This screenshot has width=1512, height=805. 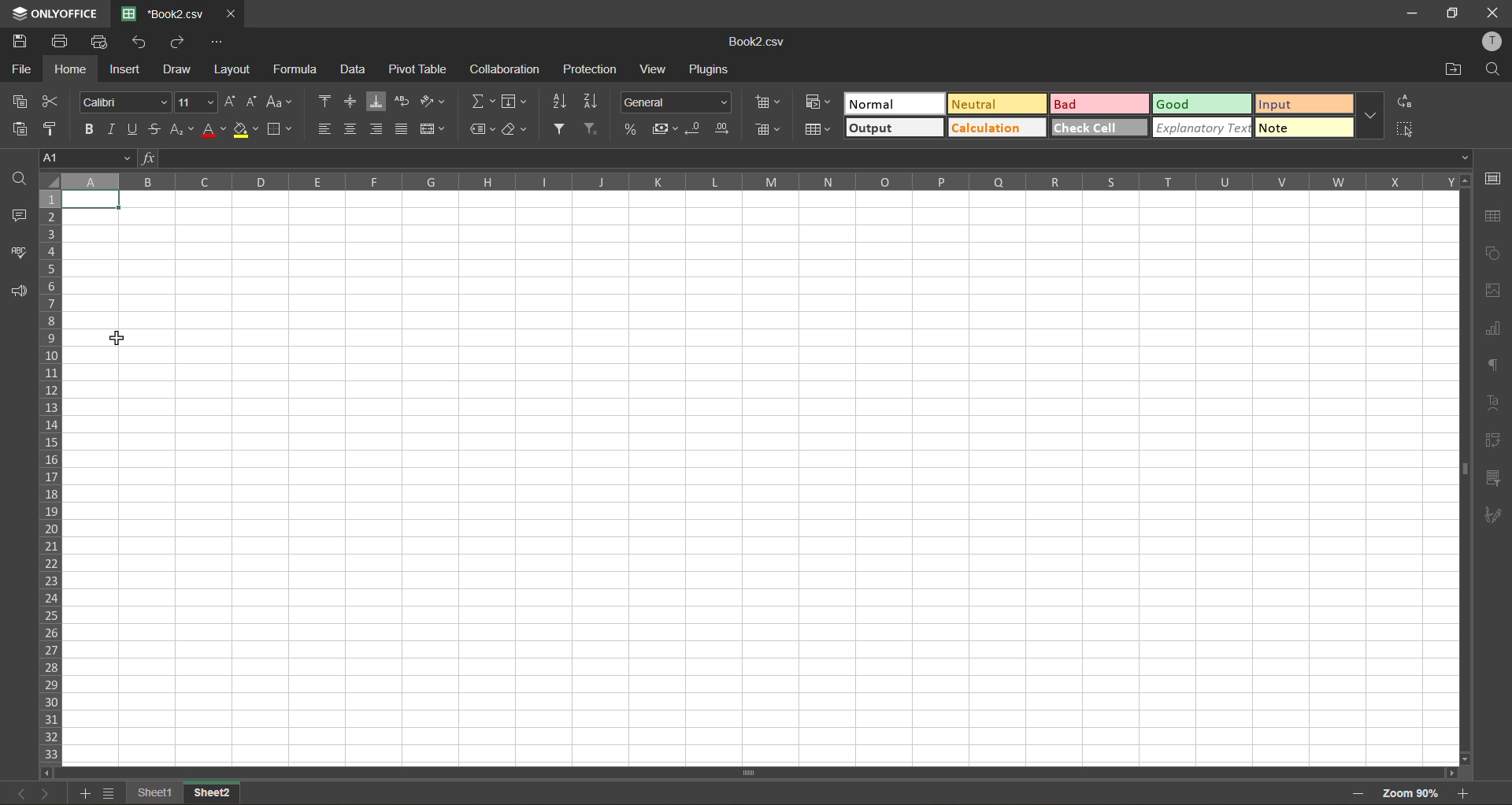 I want to click on note, so click(x=1304, y=128).